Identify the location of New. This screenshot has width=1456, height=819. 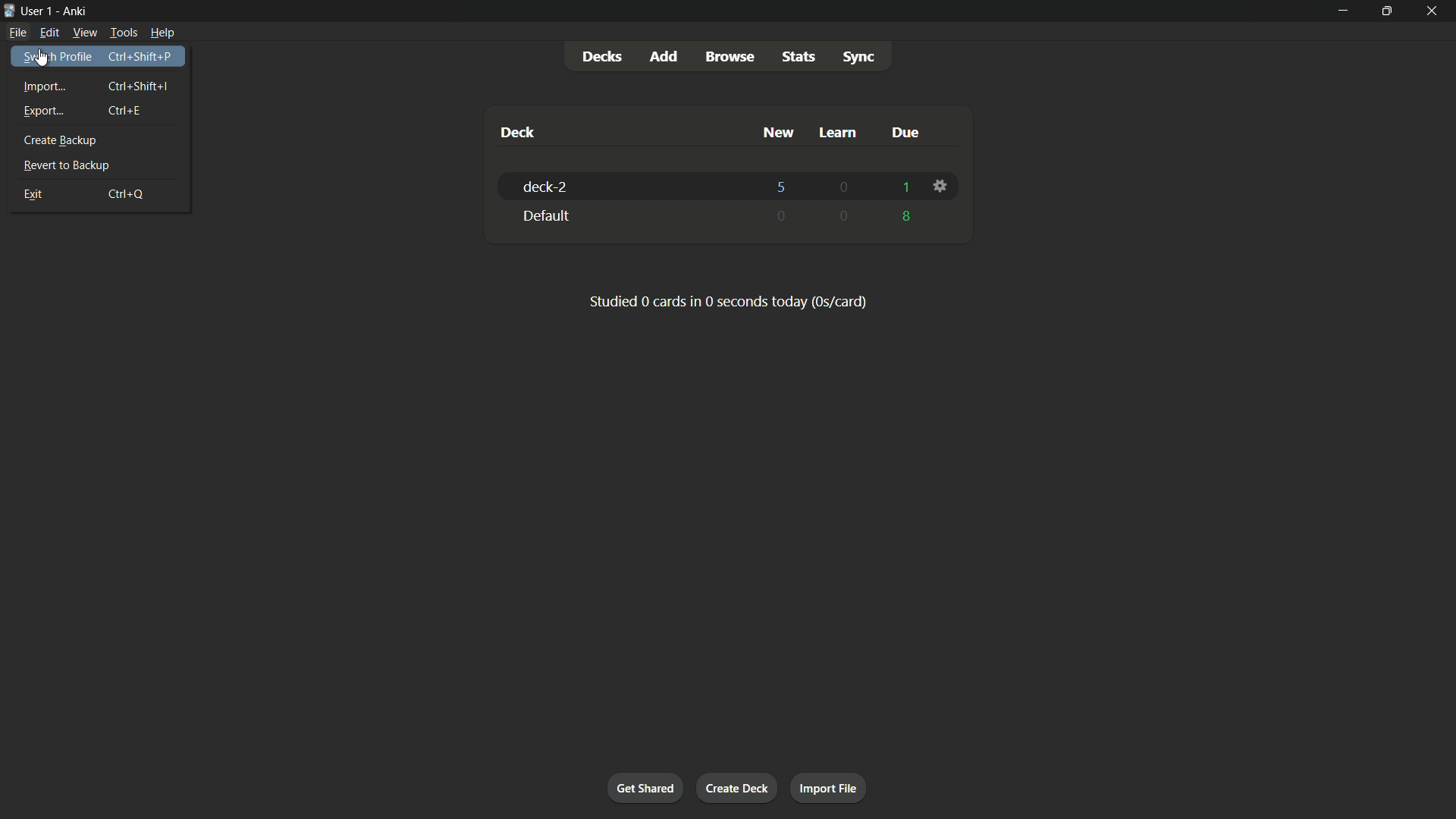
(777, 133).